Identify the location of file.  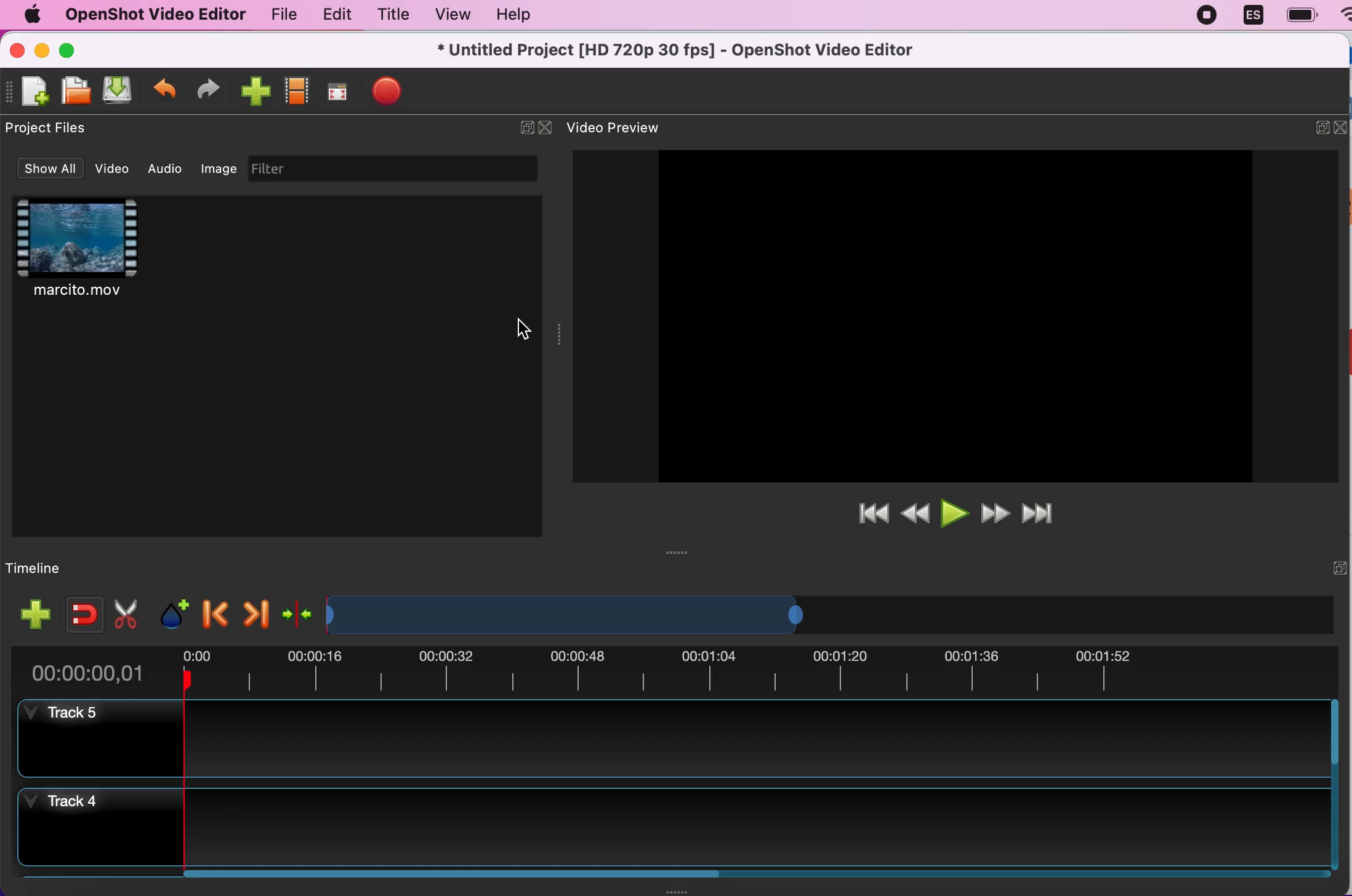
(281, 15).